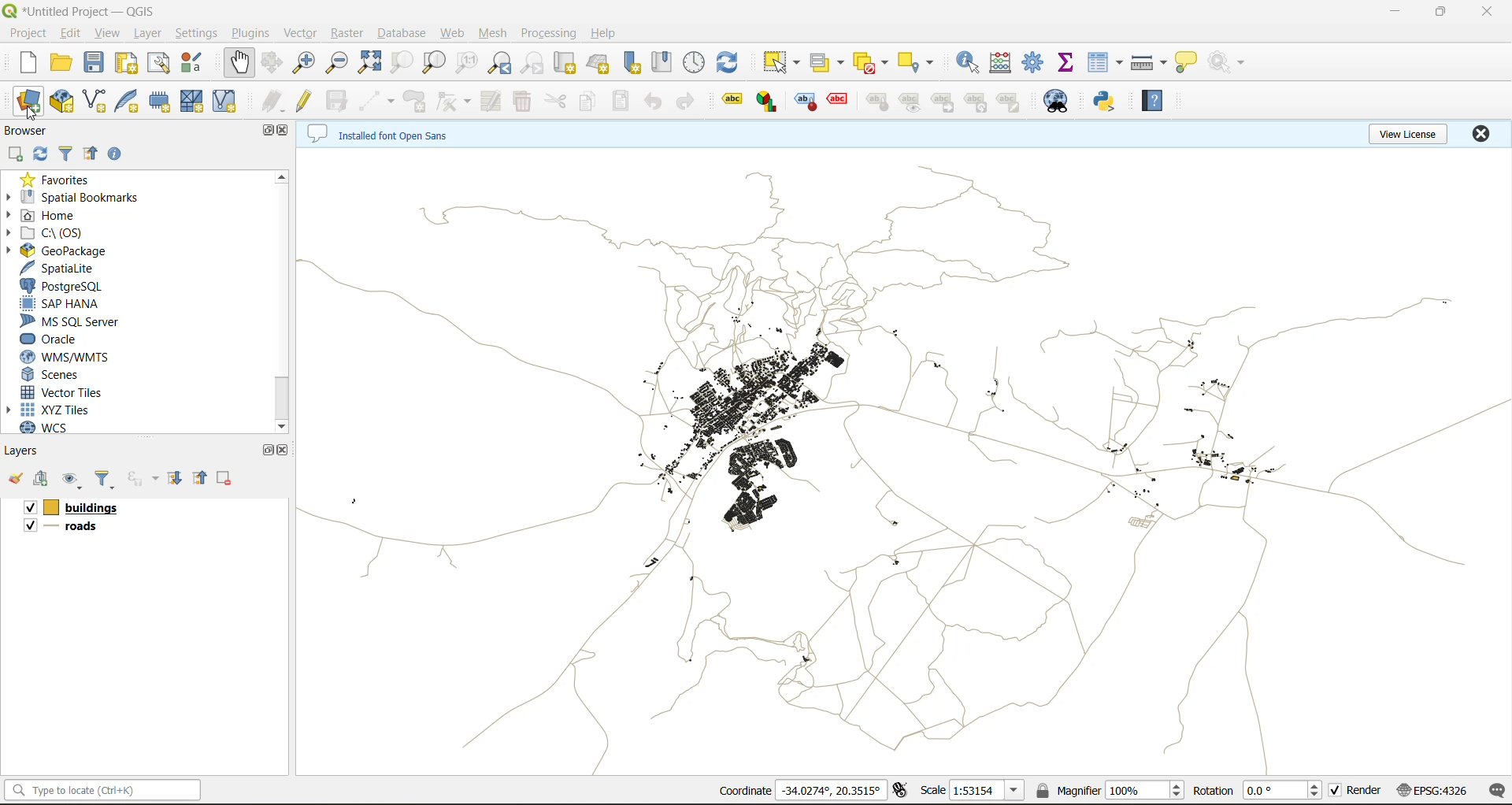 This screenshot has height=805, width=1512. What do you see at coordinates (55, 339) in the screenshot?
I see `oracle` at bounding box center [55, 339].